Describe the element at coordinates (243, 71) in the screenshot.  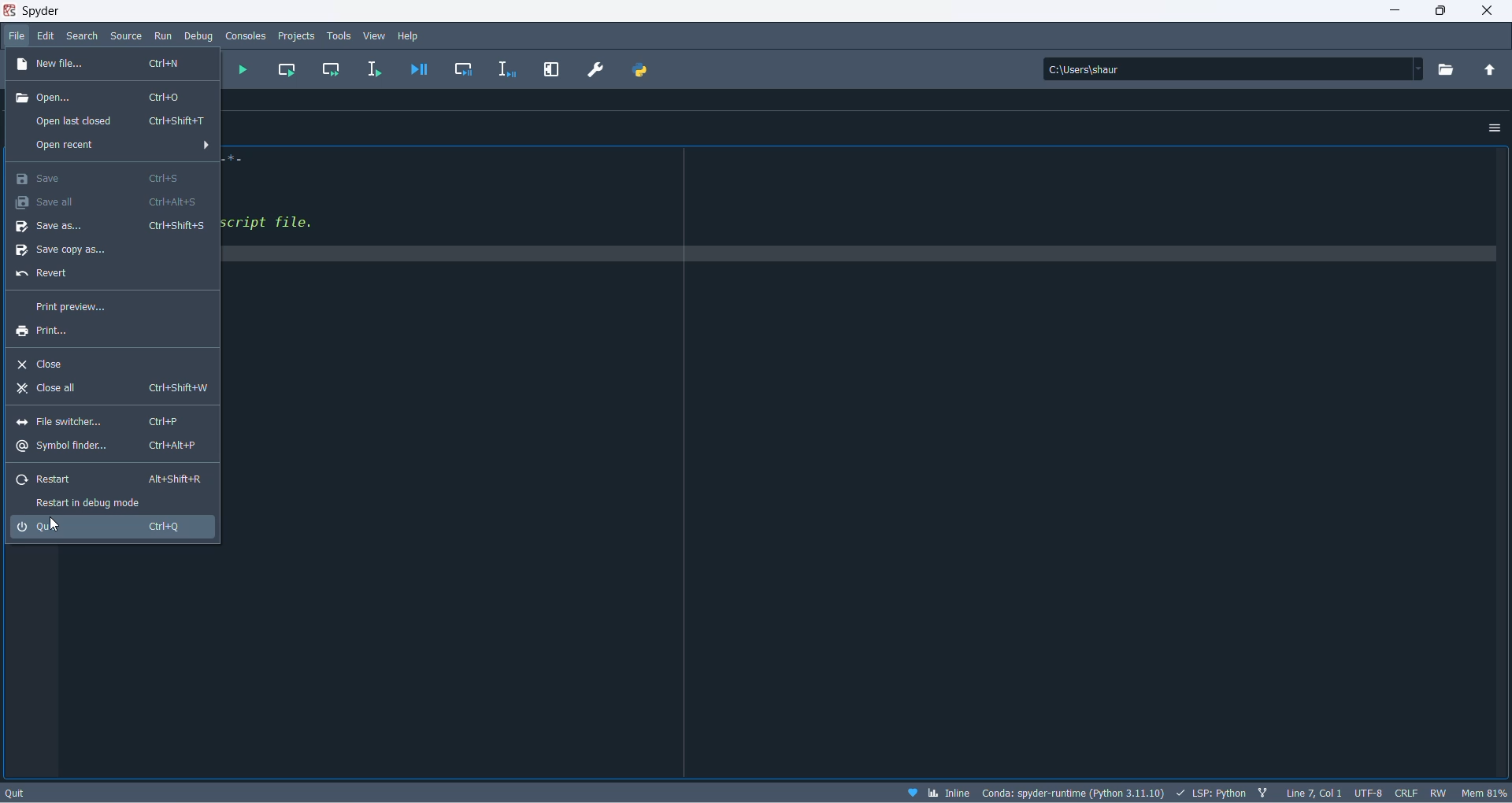
I see `run file` at that location.